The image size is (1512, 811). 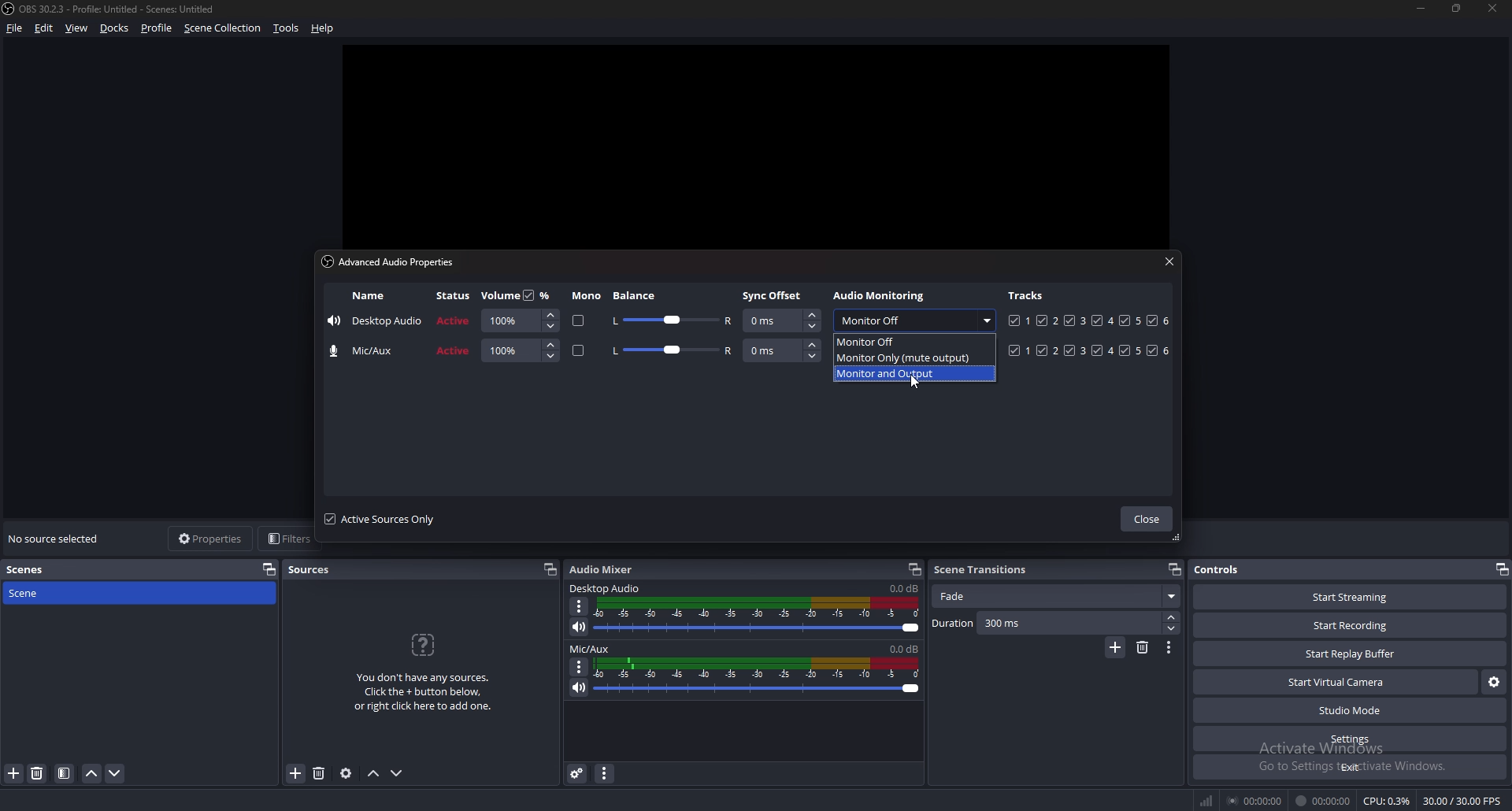 I want to click on question icon, so click(x=423, y=645).